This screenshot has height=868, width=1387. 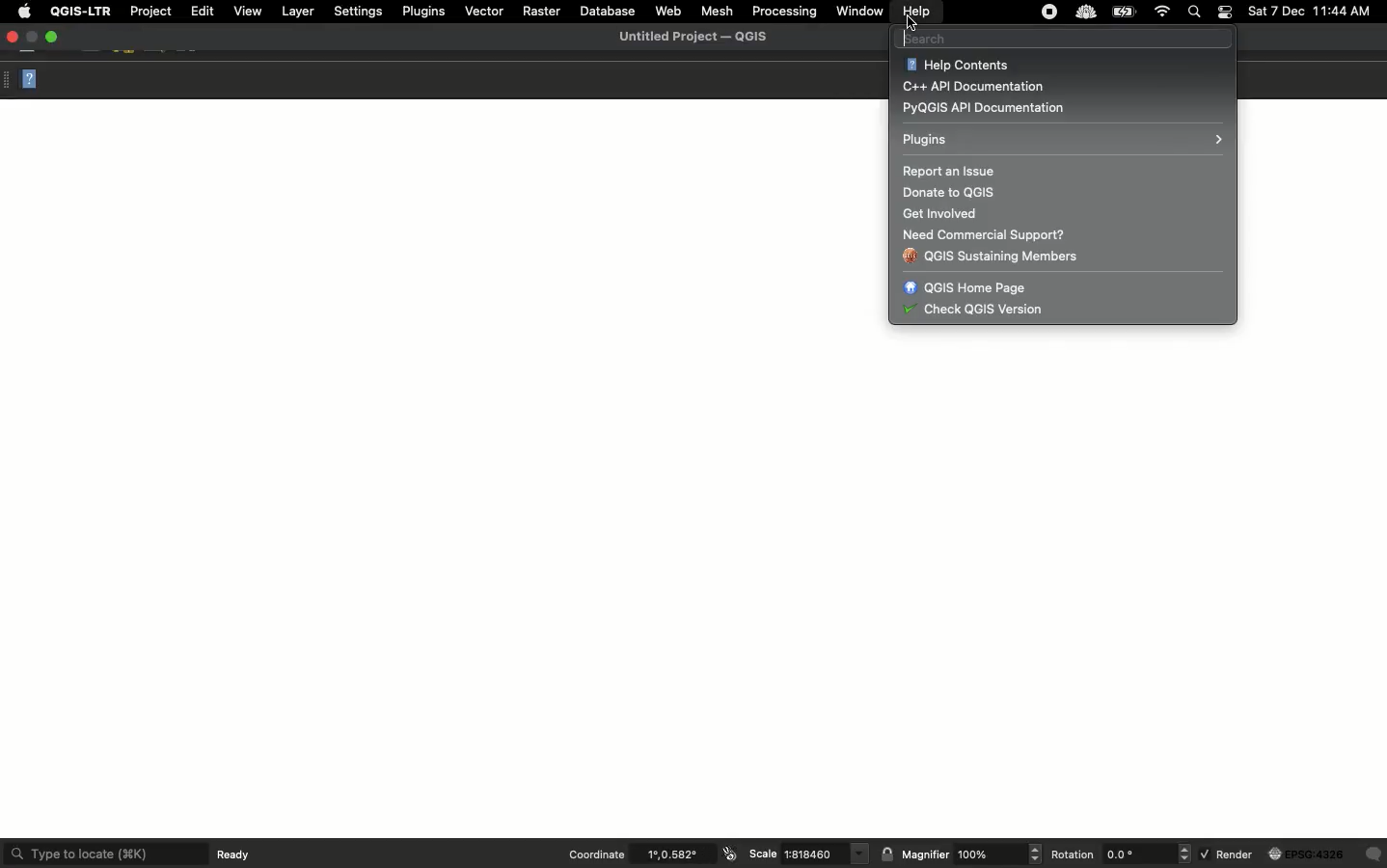 What do you see at coordinates (484, 11) in the screenshot?
I see `Vector` at bounding box center [484, 11].